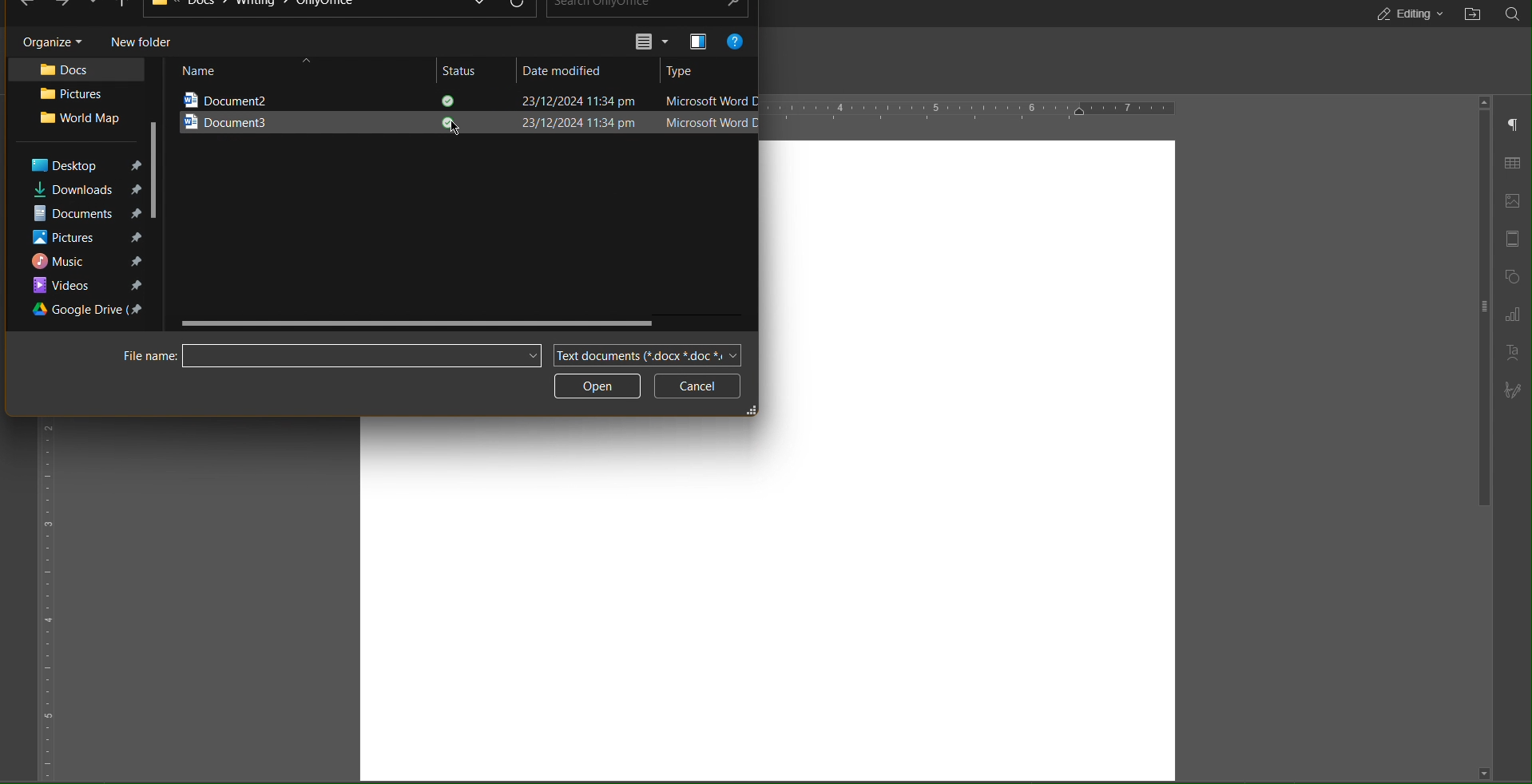 This screenshot has height=784, width=1532. What do you see at coordinates (653, 41) in the screenshot?
I see `List` at bounding box center [653, 41].